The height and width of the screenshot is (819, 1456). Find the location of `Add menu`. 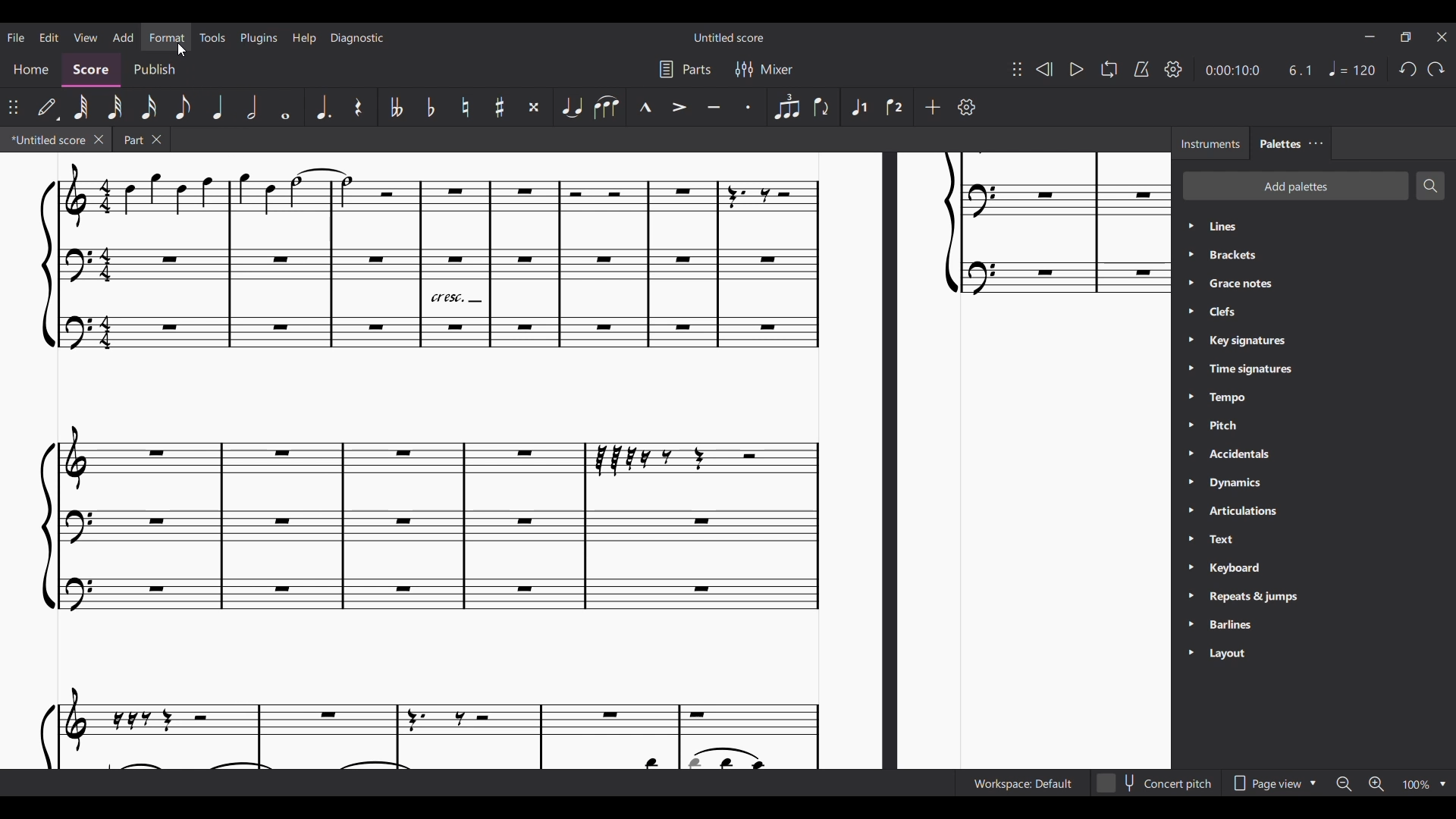

Add menu is located at coordinates (124, 36).